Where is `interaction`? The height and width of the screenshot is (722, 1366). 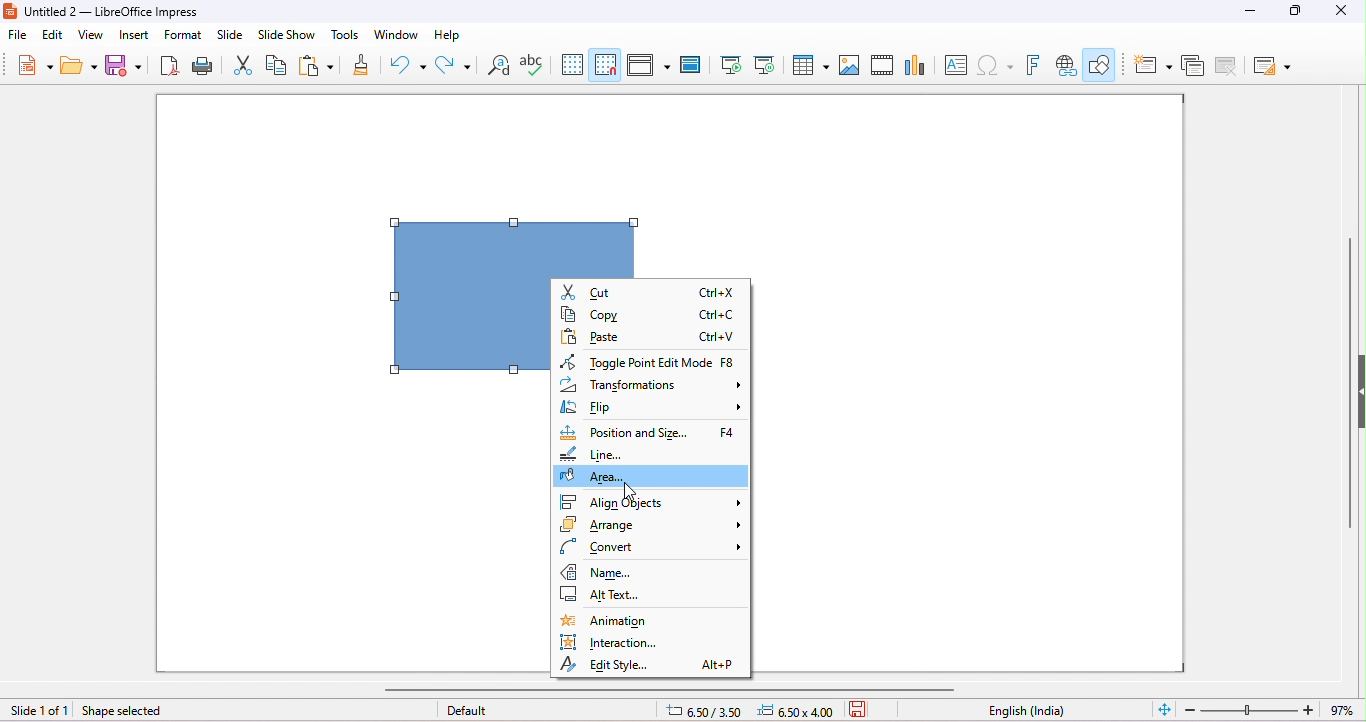 interaction is located at coordinates (639, 643).